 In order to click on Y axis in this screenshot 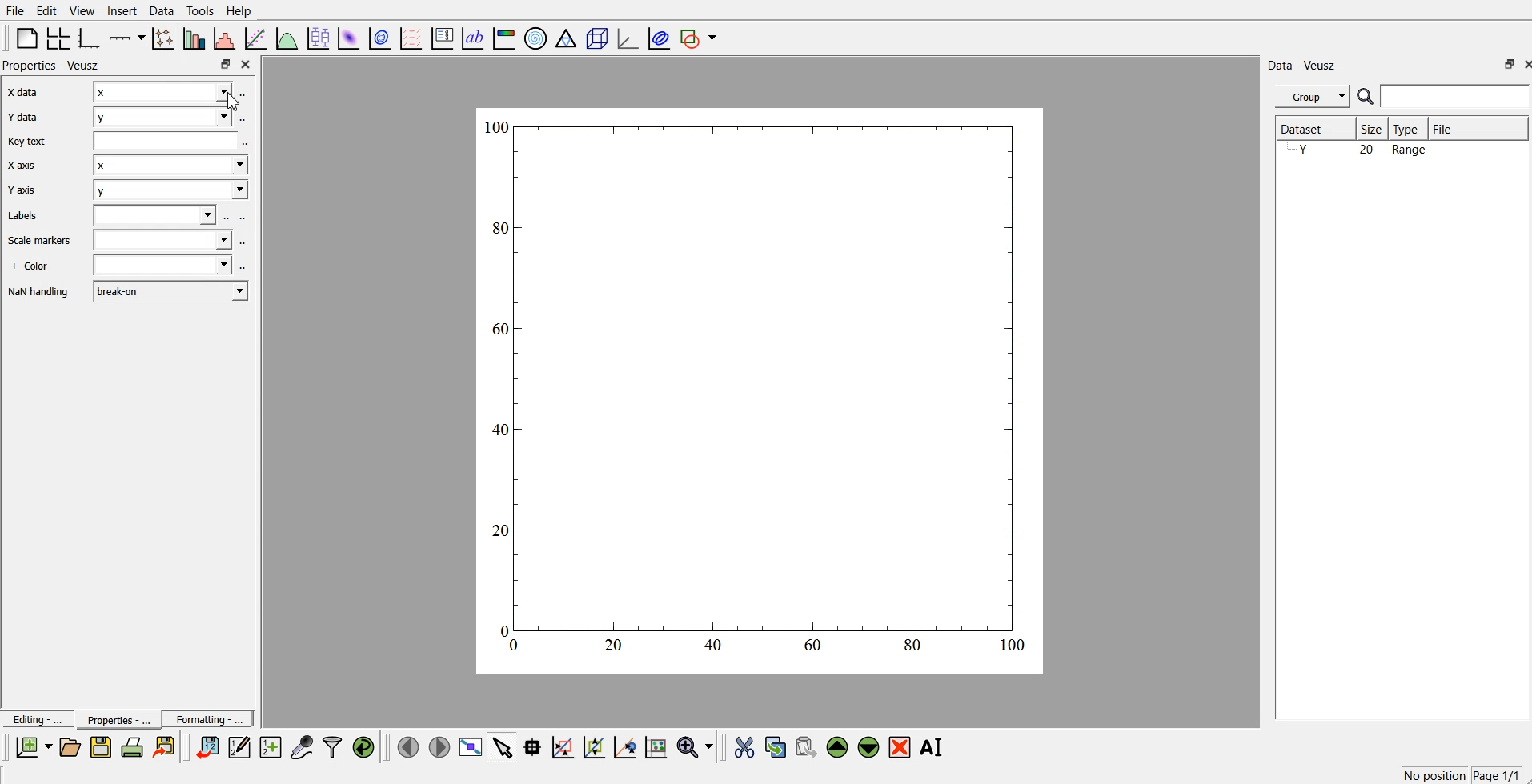, I will do `click(26, 192)`.